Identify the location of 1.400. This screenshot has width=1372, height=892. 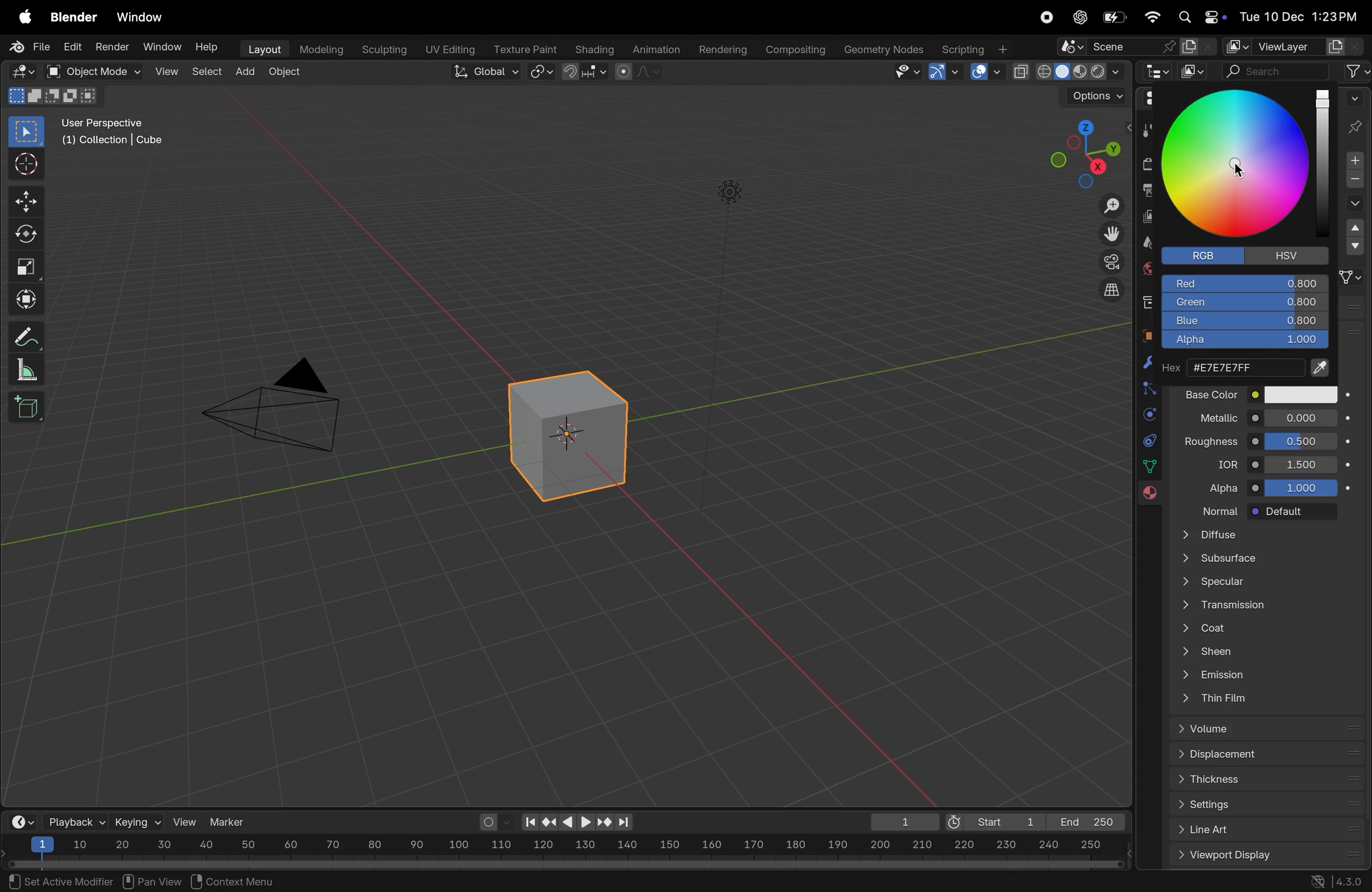
(1304, 463).